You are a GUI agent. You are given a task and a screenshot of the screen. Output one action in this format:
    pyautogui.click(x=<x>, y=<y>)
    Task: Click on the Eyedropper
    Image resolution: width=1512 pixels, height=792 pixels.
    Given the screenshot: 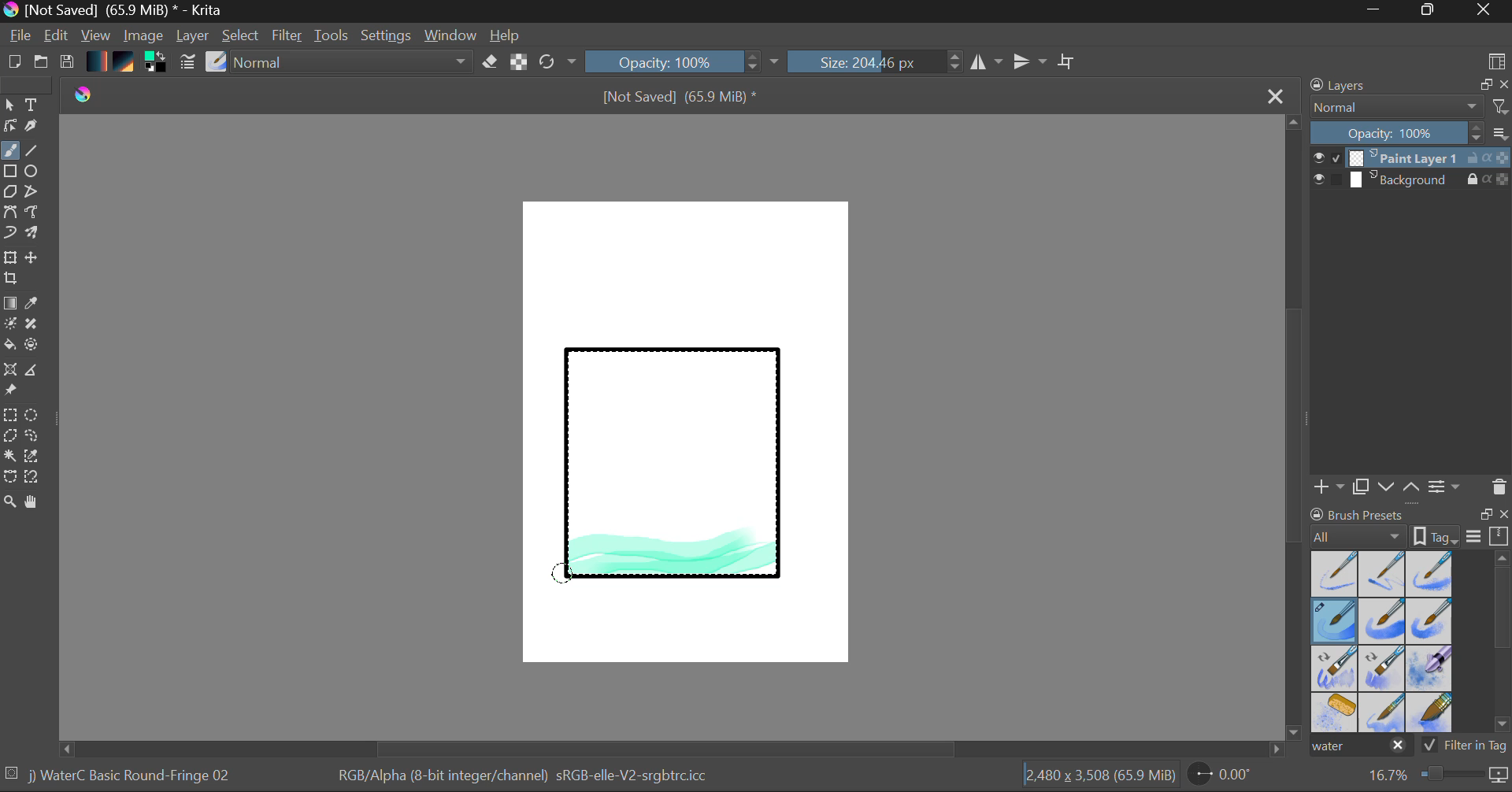 What is the action you would take?
    pyautogui.click(x=35, y=304)
    